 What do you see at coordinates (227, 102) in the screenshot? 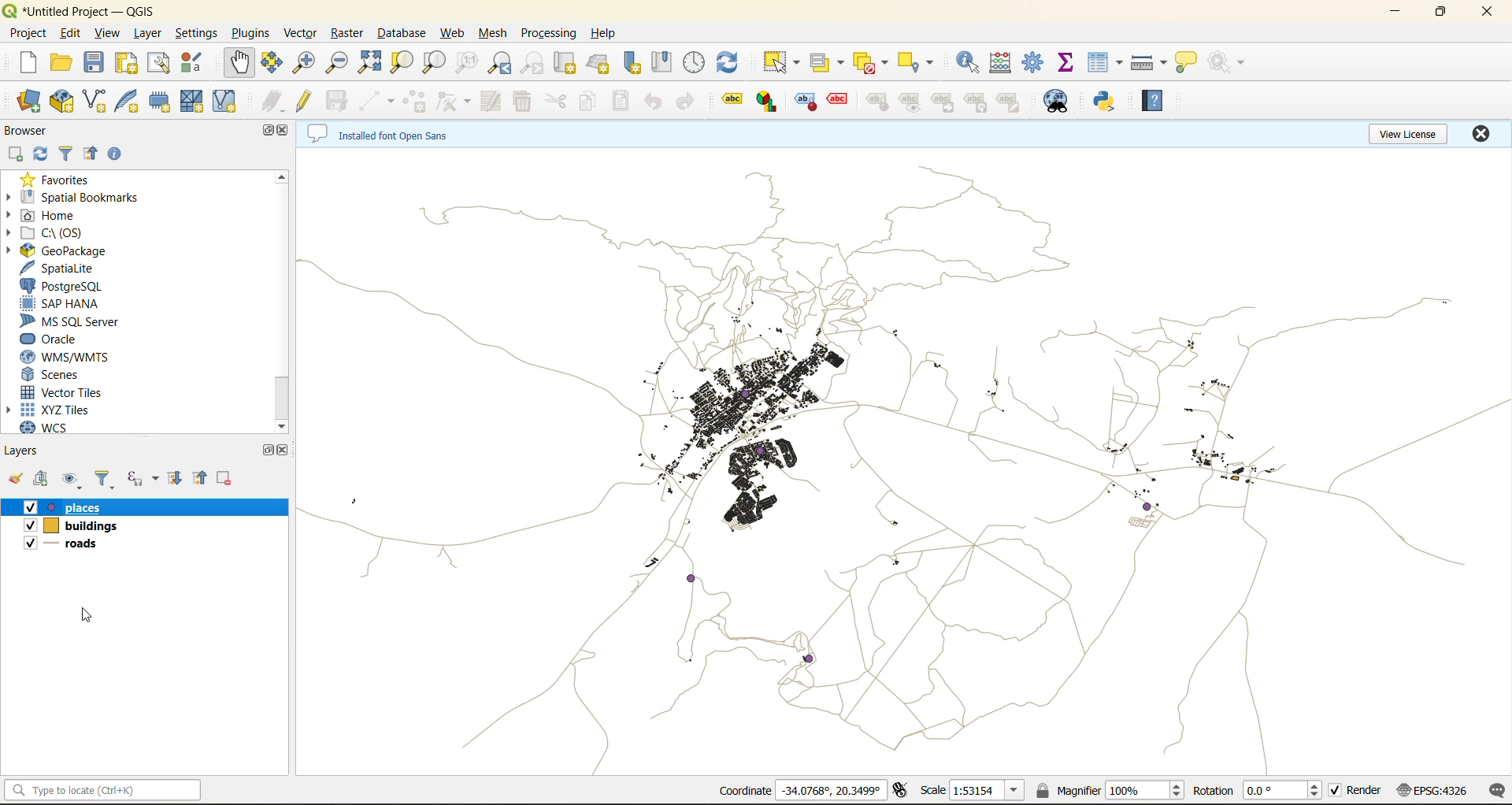
I see `new virtual layer` at bounding box center [227, 102].